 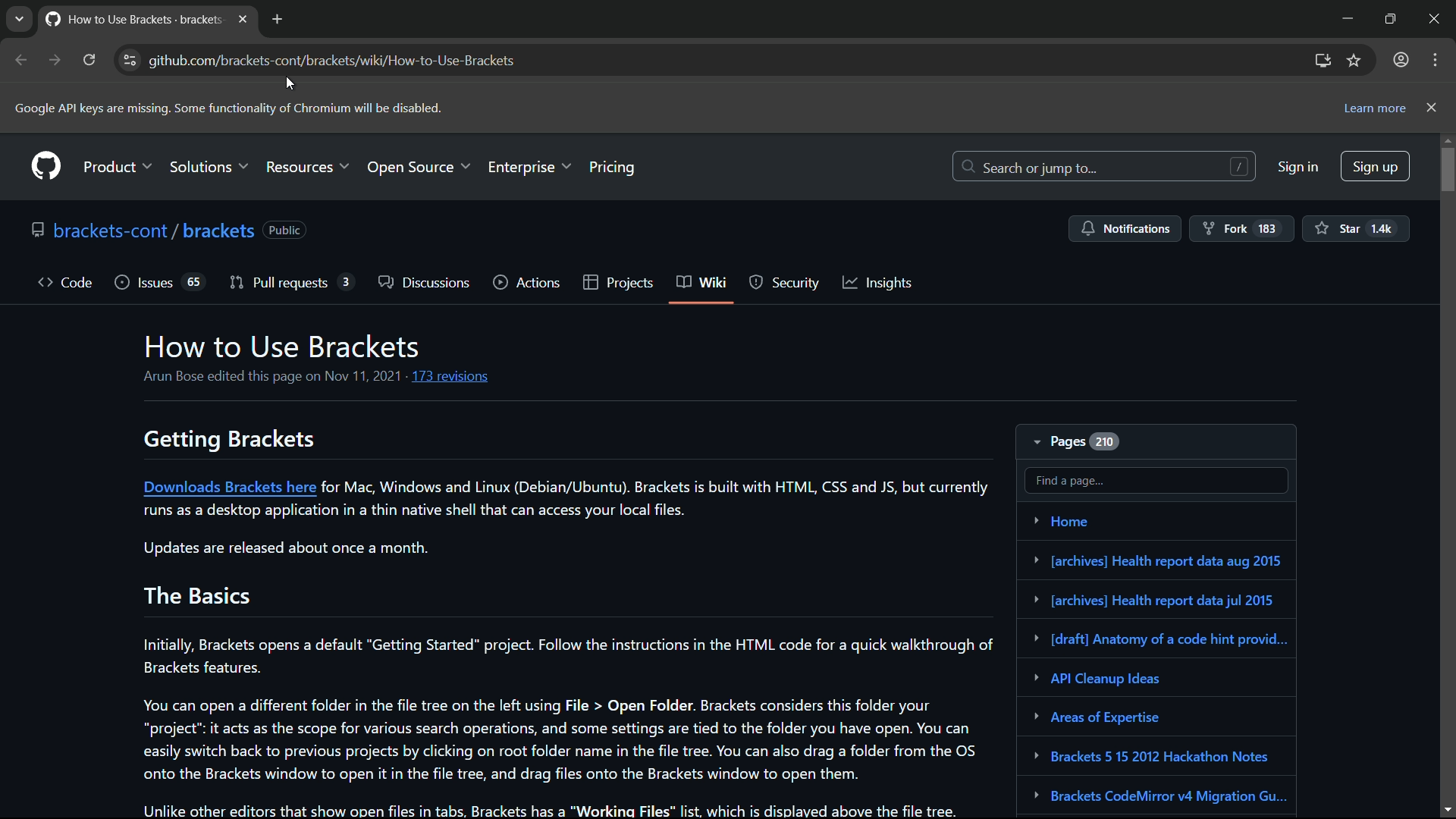 What do you see at coordinates (526, 282) in the screenshot?
I see `actions` at bounding box center [526, 282].